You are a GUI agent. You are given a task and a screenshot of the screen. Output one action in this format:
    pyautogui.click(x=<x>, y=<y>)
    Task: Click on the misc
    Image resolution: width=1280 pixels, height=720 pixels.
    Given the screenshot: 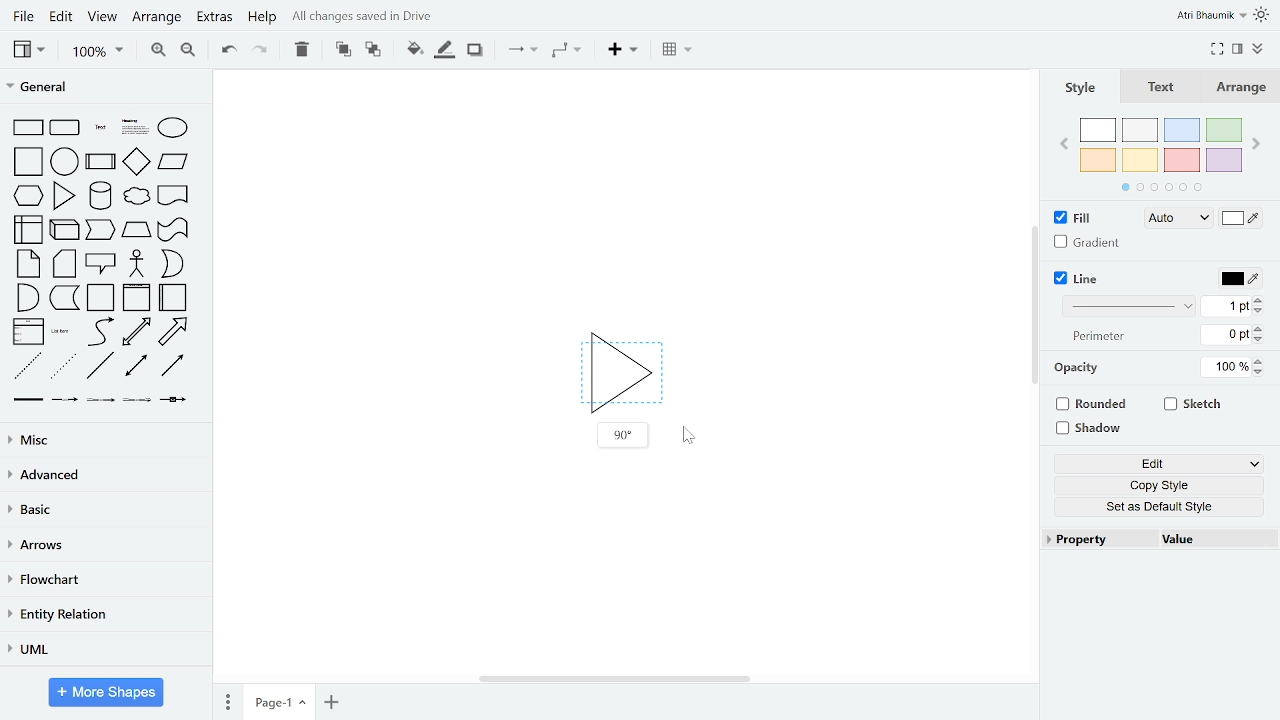 What is the action you would take?
    pyautogui.click(x=102, y=442)
    